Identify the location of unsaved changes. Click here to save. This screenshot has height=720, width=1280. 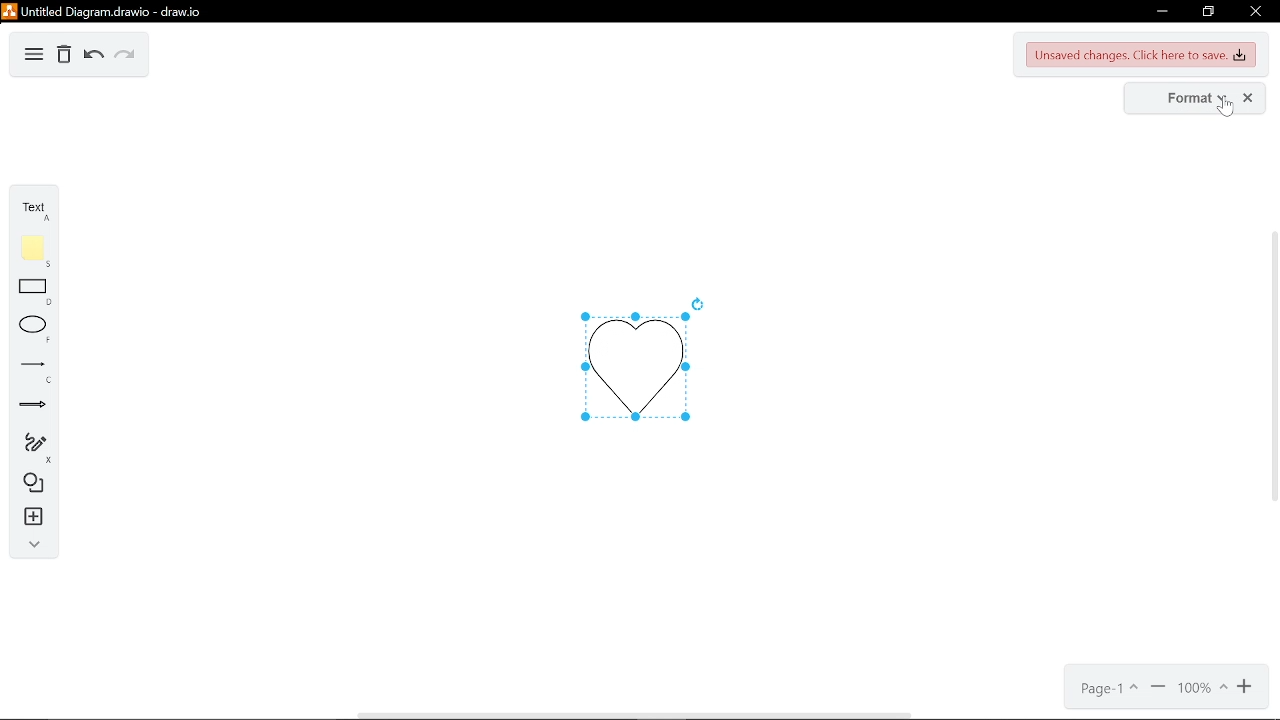
(1142, 56).